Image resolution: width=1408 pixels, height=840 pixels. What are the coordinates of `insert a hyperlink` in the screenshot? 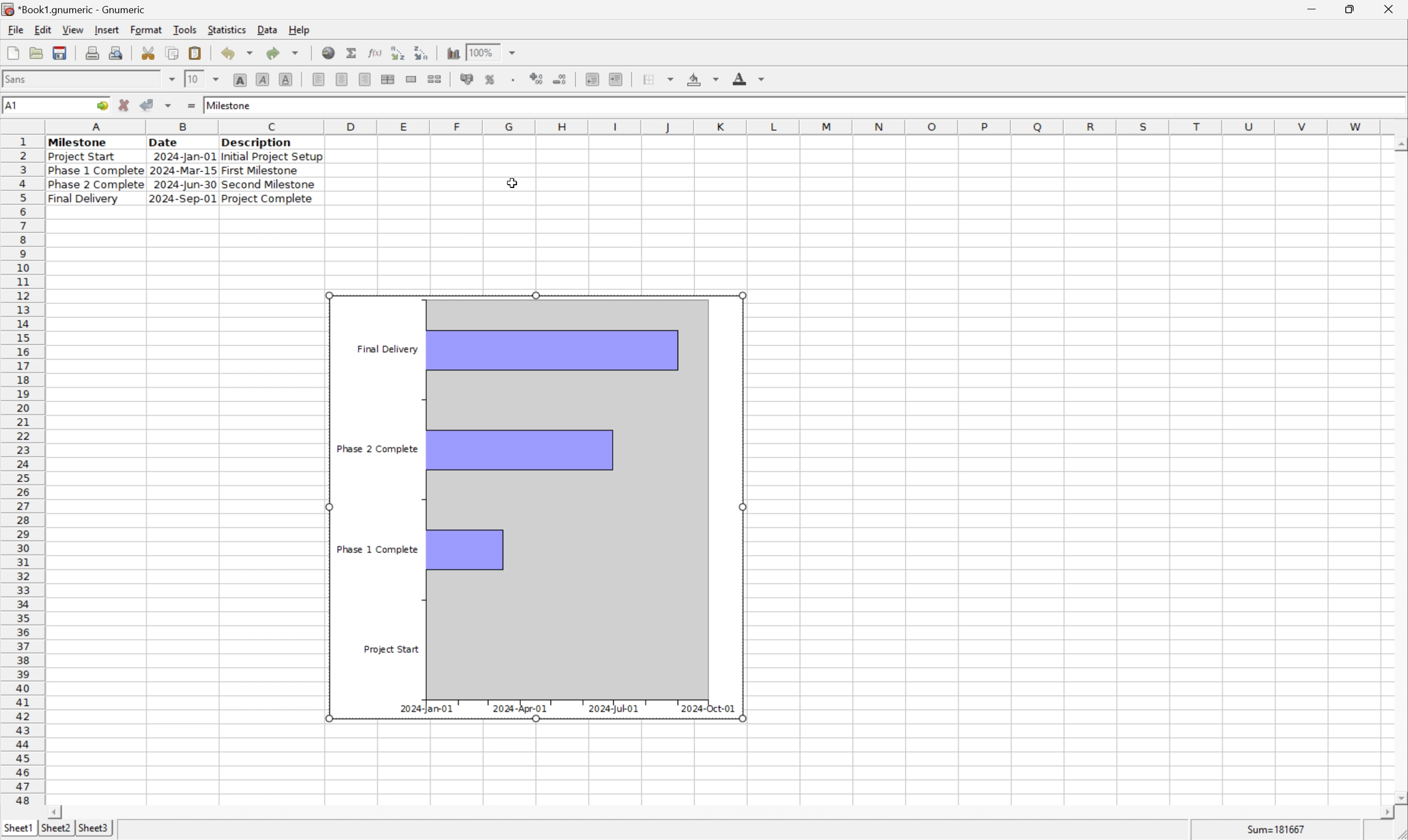 It's located at (329, 53).